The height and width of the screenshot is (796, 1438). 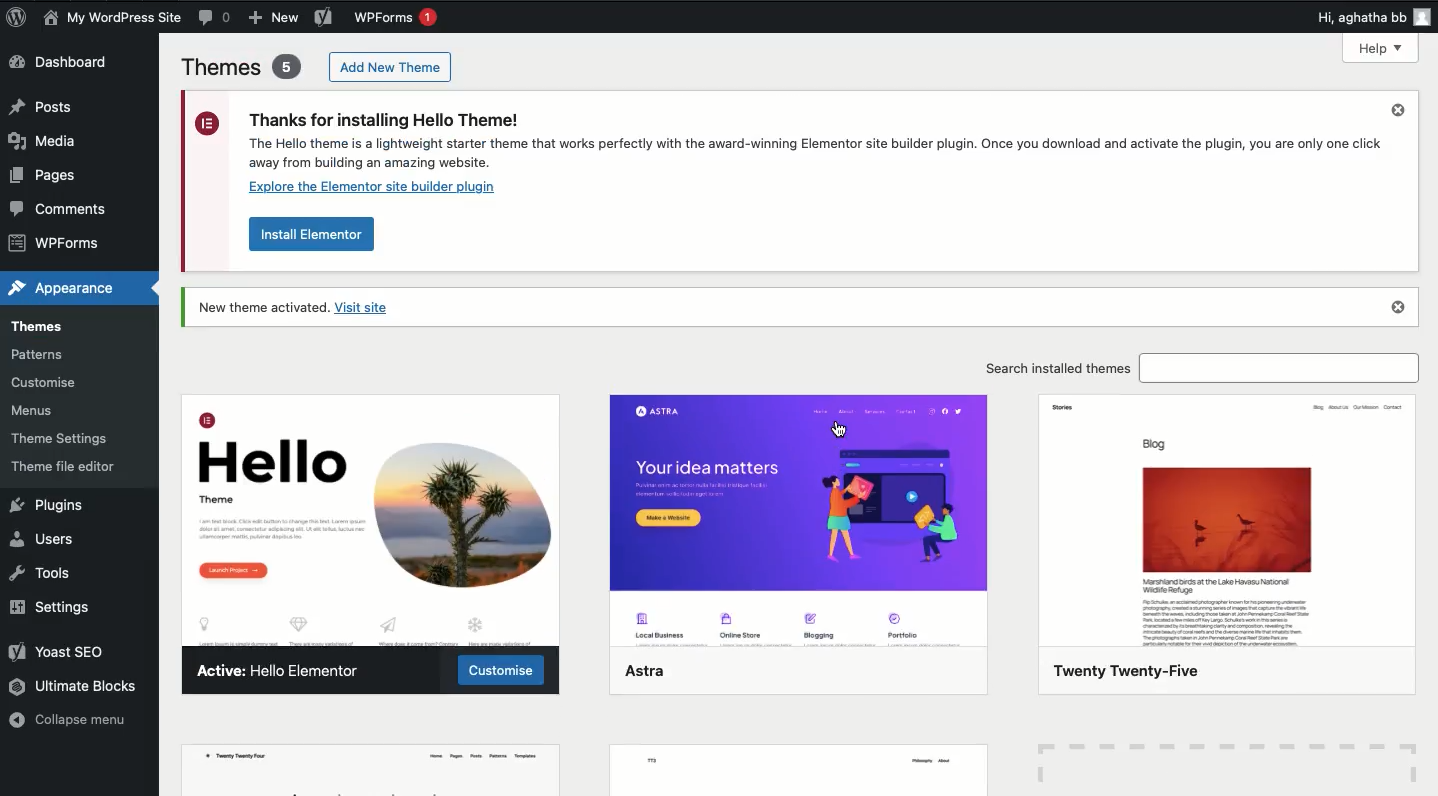 What do you see at coordinates (66, 651) in the screenshot?
I see `Yoast` at bounding box center [66, 651].